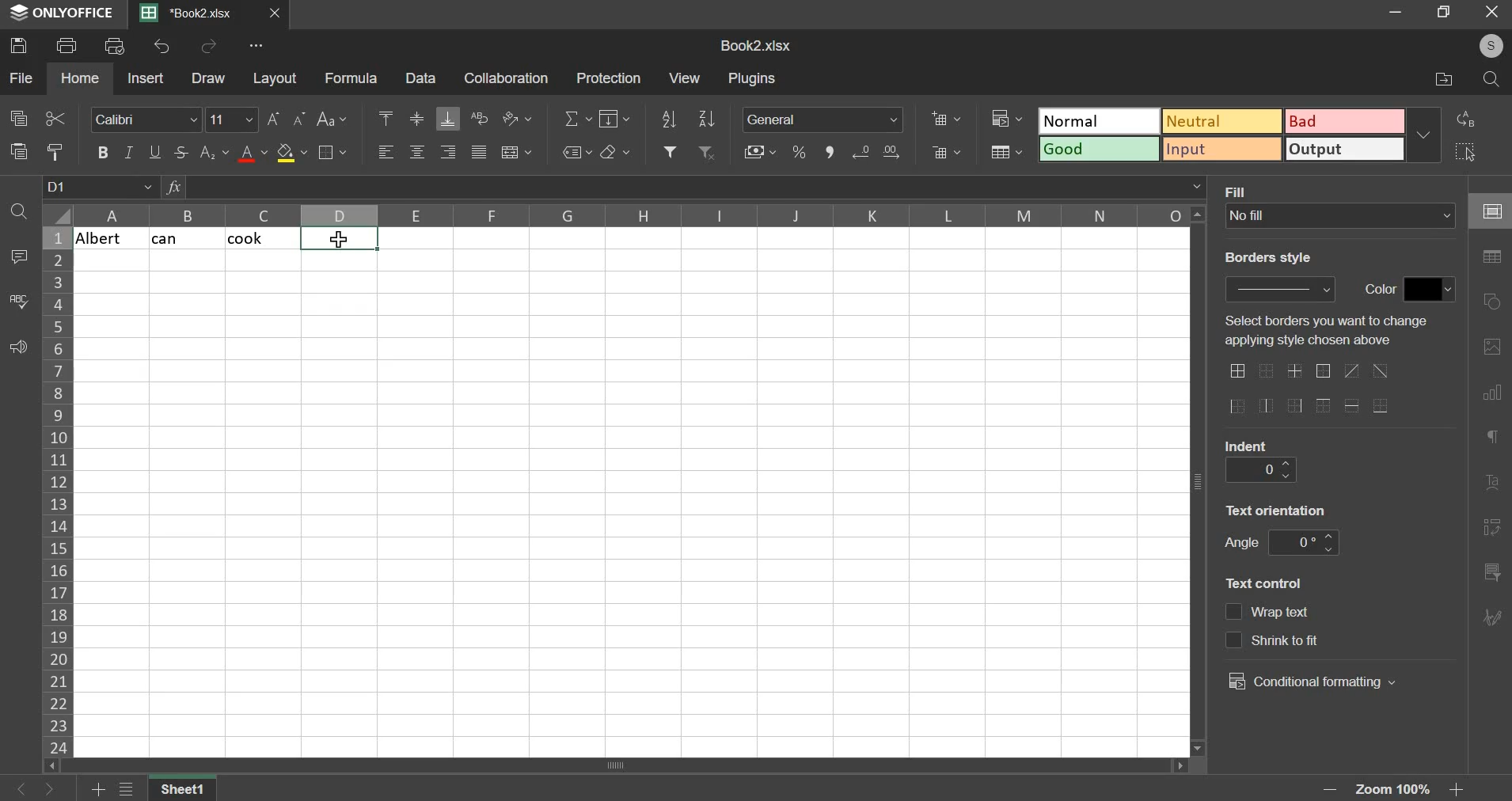  What do you see at coordinates (20, 788) in the screenshot?
I see `go back` at bounding box center [20, 788].